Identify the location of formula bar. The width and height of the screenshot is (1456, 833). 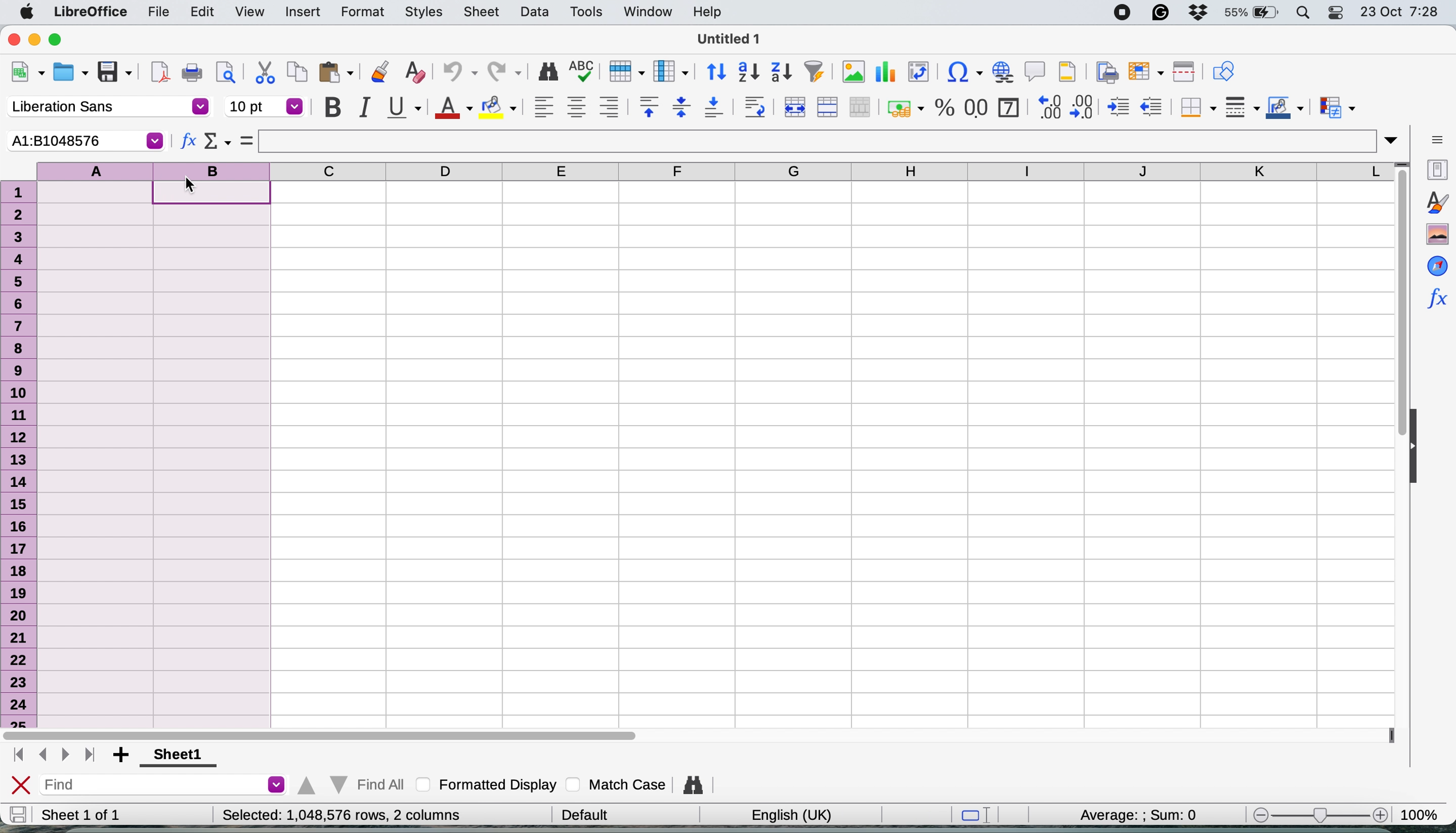
(822, 141).